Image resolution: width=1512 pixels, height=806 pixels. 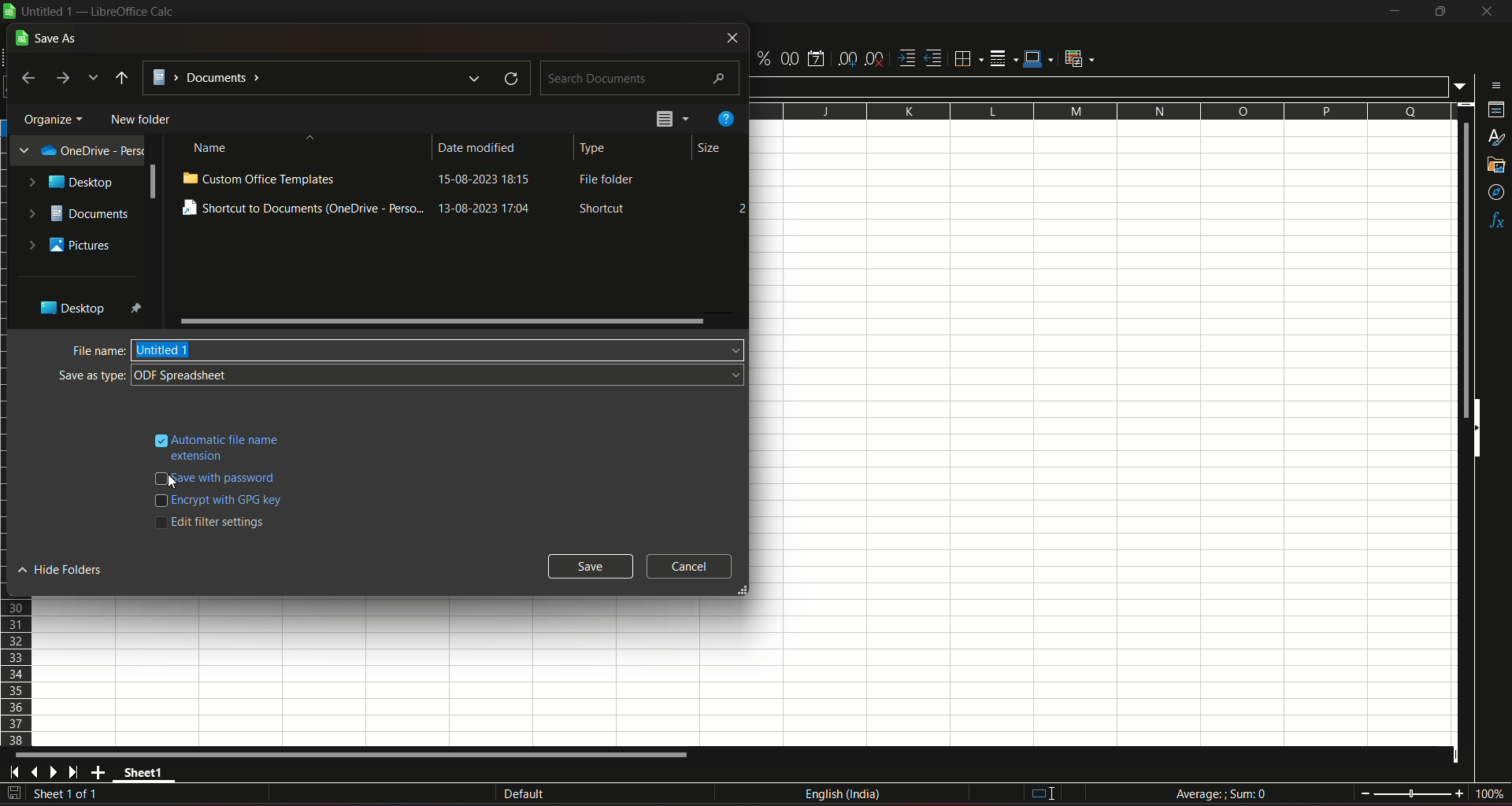 I want to click on desktop, so click(x=74, y=182).